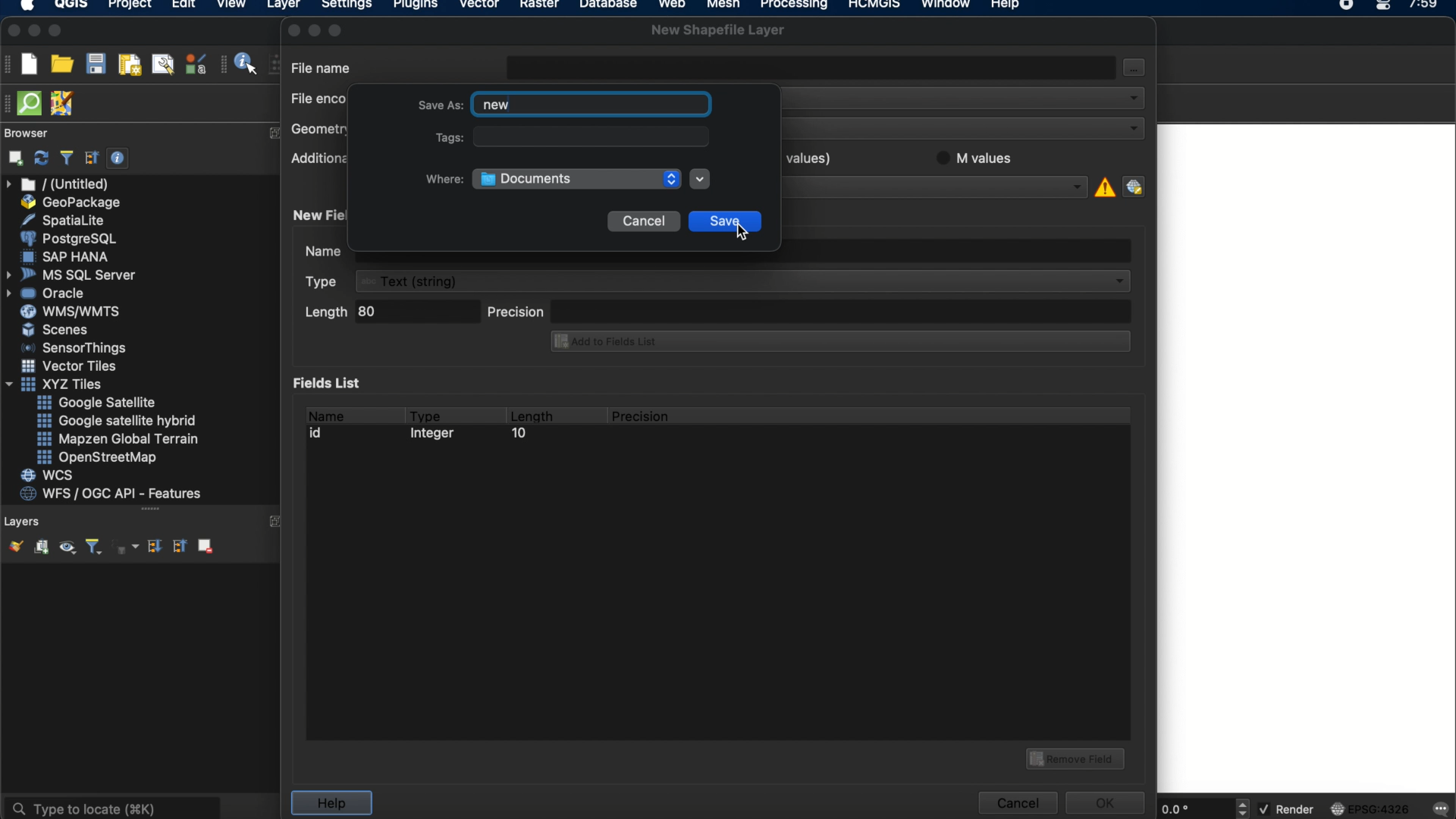 This screenshot has width=1456, height=819. Describe the element at coordinates (56, 329) in the screenshot. I see `scenes` at that location.